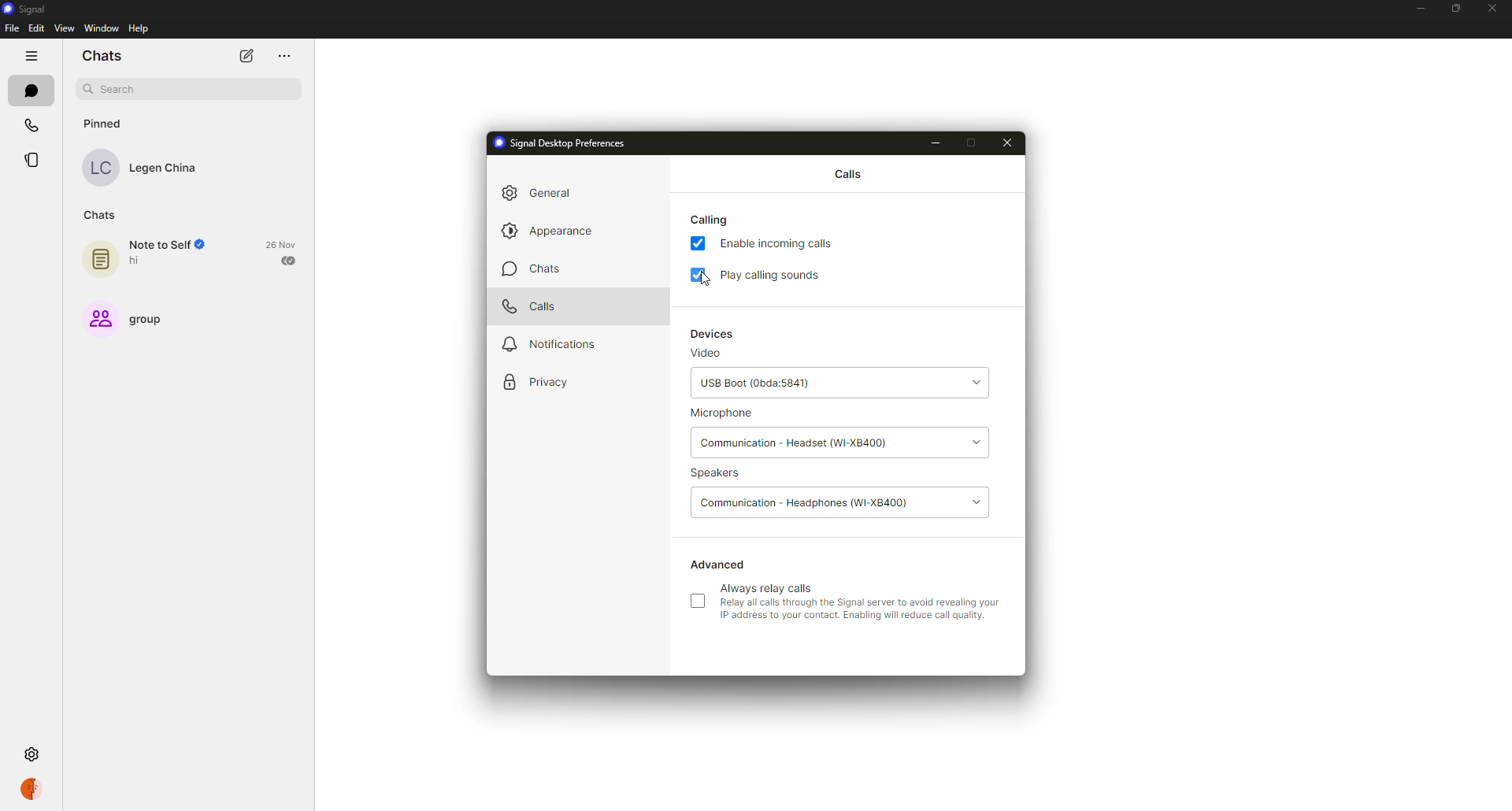  What do you see at coordinates (698, 601) in the screenshot?
I see `click to enable` at bounding box center [698, 601].